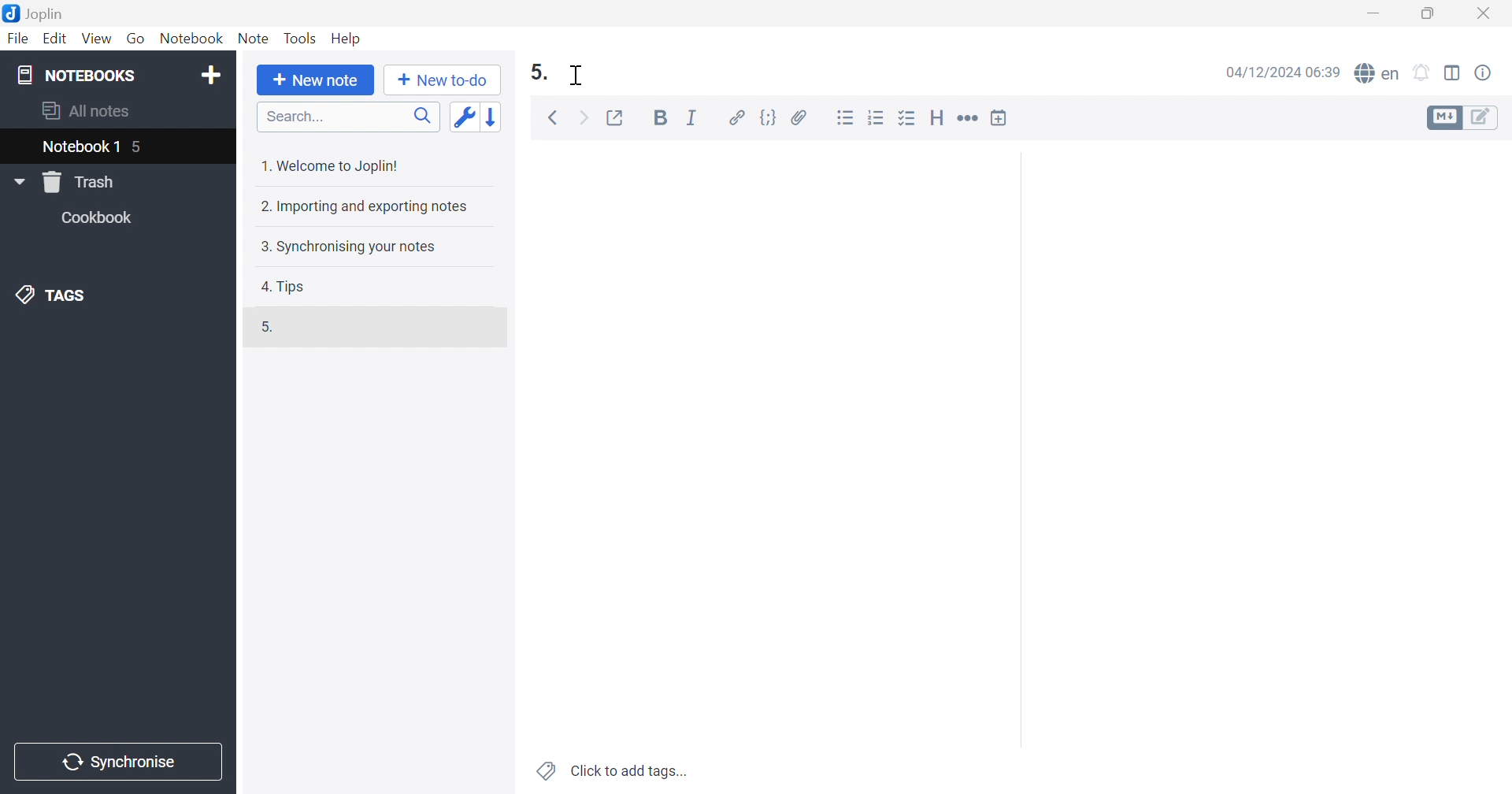 This screenshot has width=1512, height=794. I want to click on NOTEBOOKS, so click(73, 74).